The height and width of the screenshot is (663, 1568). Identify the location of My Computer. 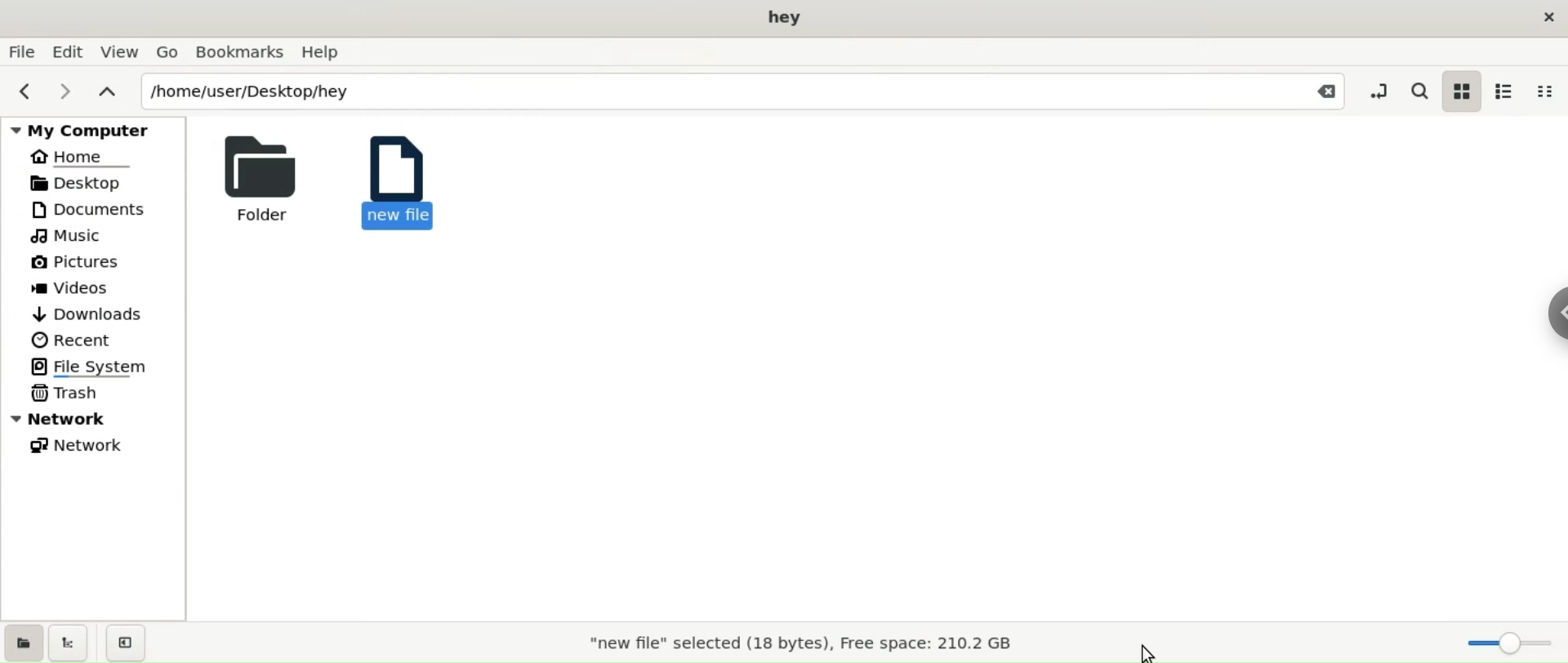
(96, 129).